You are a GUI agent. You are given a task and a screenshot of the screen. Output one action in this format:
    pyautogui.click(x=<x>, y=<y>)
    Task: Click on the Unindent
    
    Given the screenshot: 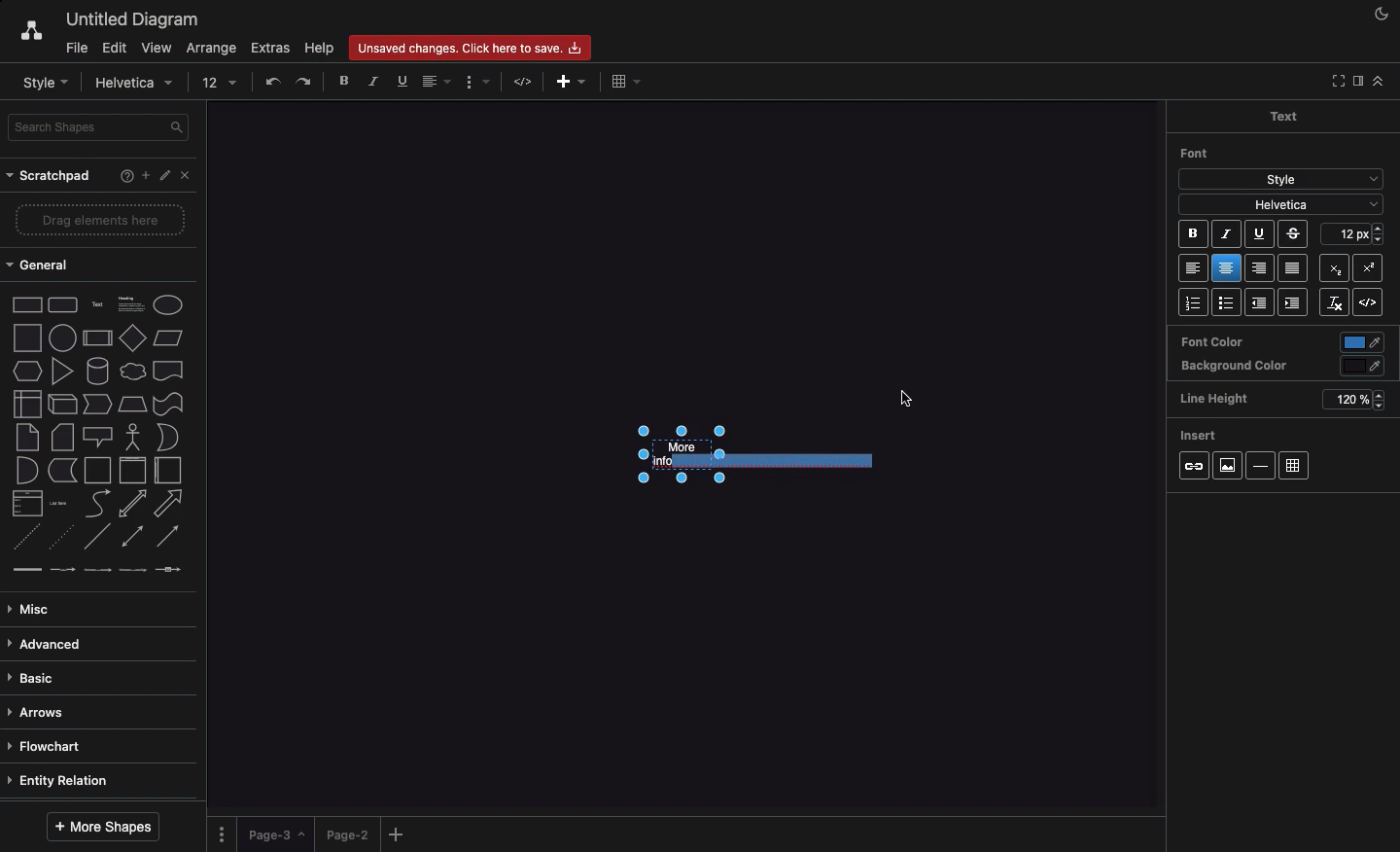 What is the action you would take?
    pyautogui.click(x=1262, y=302)
    